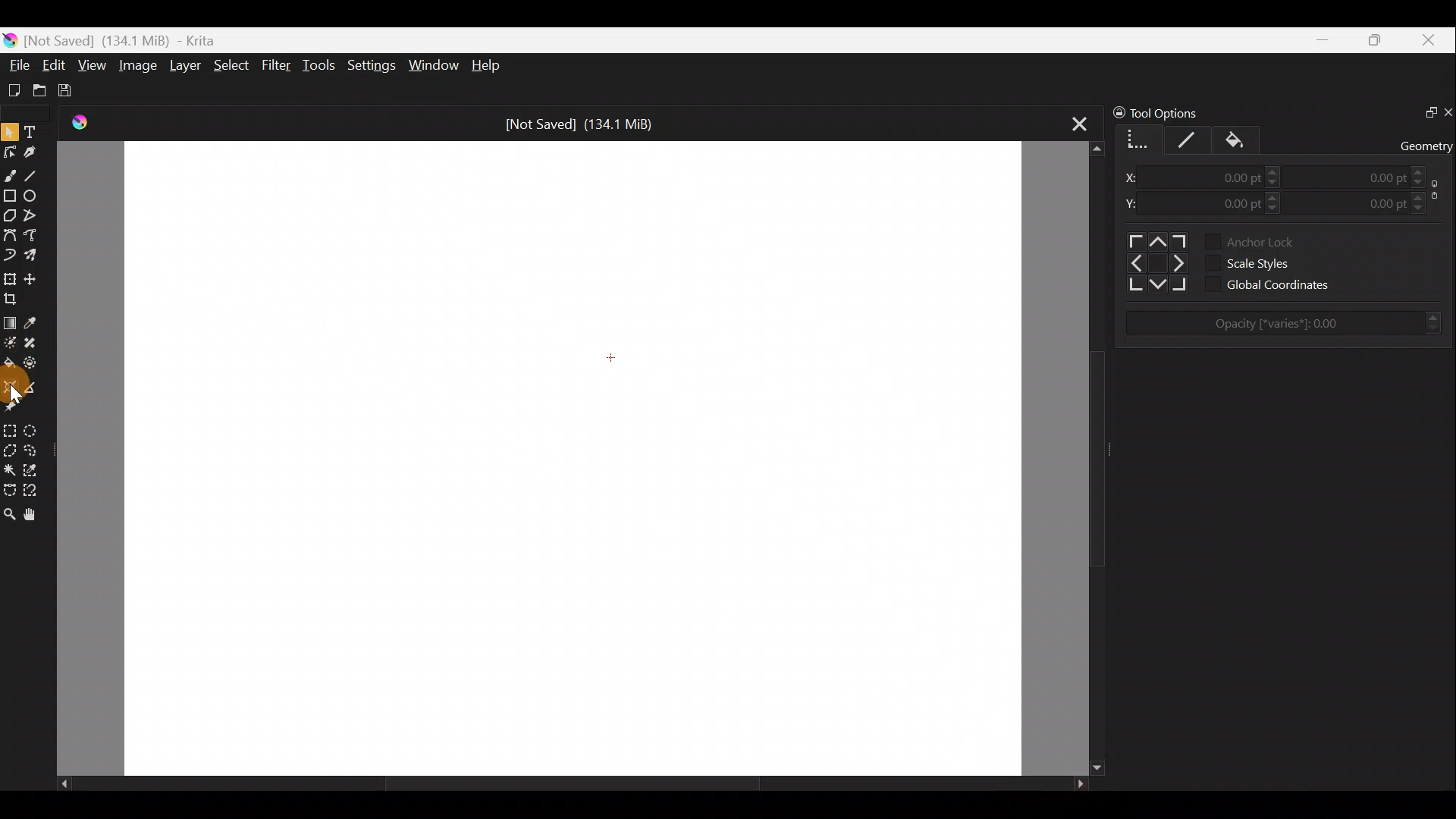 The image size is (1456, 819). I want to click on Calligraphy, so click(36, 149).